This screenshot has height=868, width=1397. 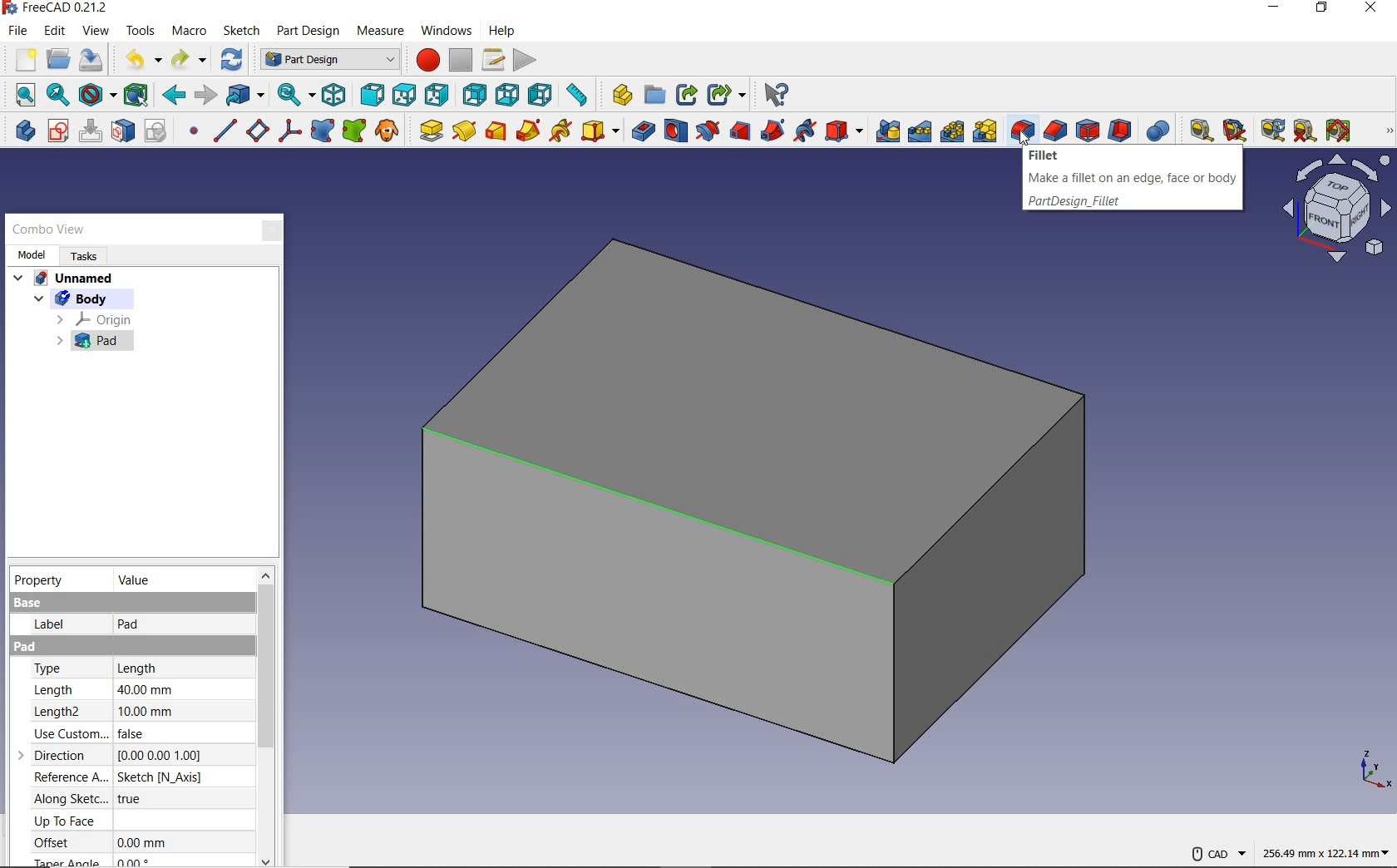 I want to click on length, so click(x=61, y=690).